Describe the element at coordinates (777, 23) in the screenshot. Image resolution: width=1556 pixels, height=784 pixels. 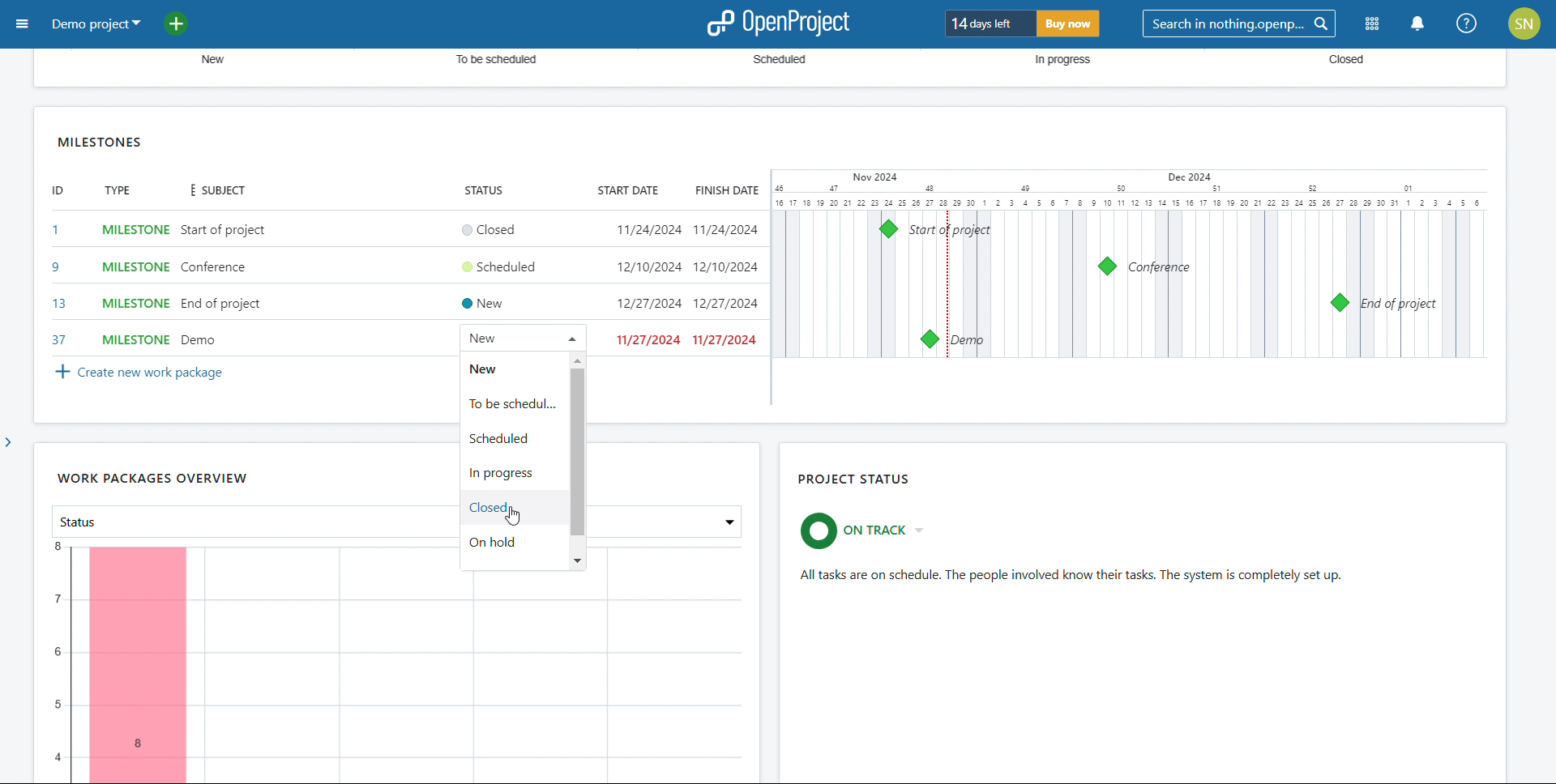
I see `logo` at that location.